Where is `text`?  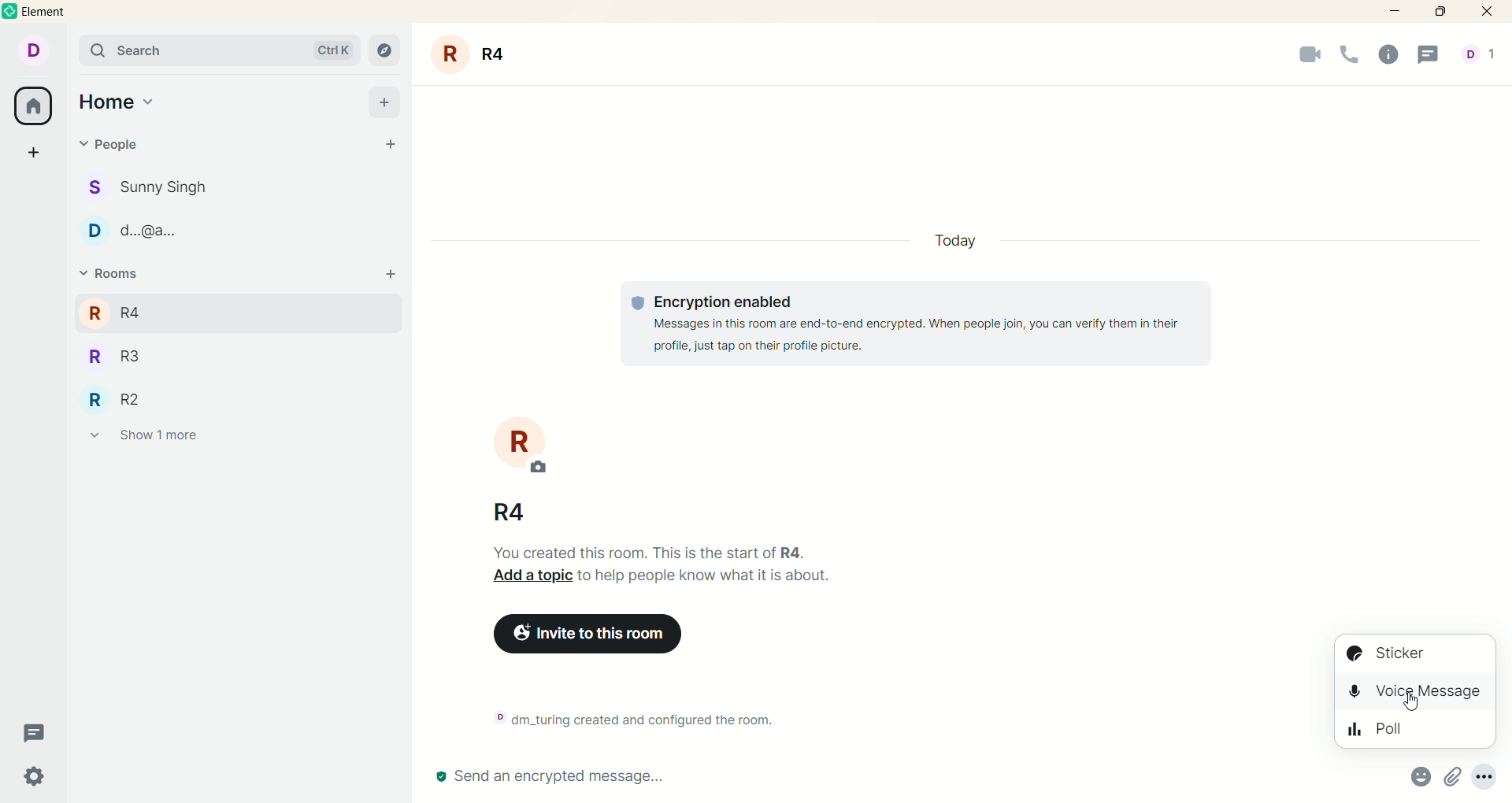 text is located at coordinates (923, 324).